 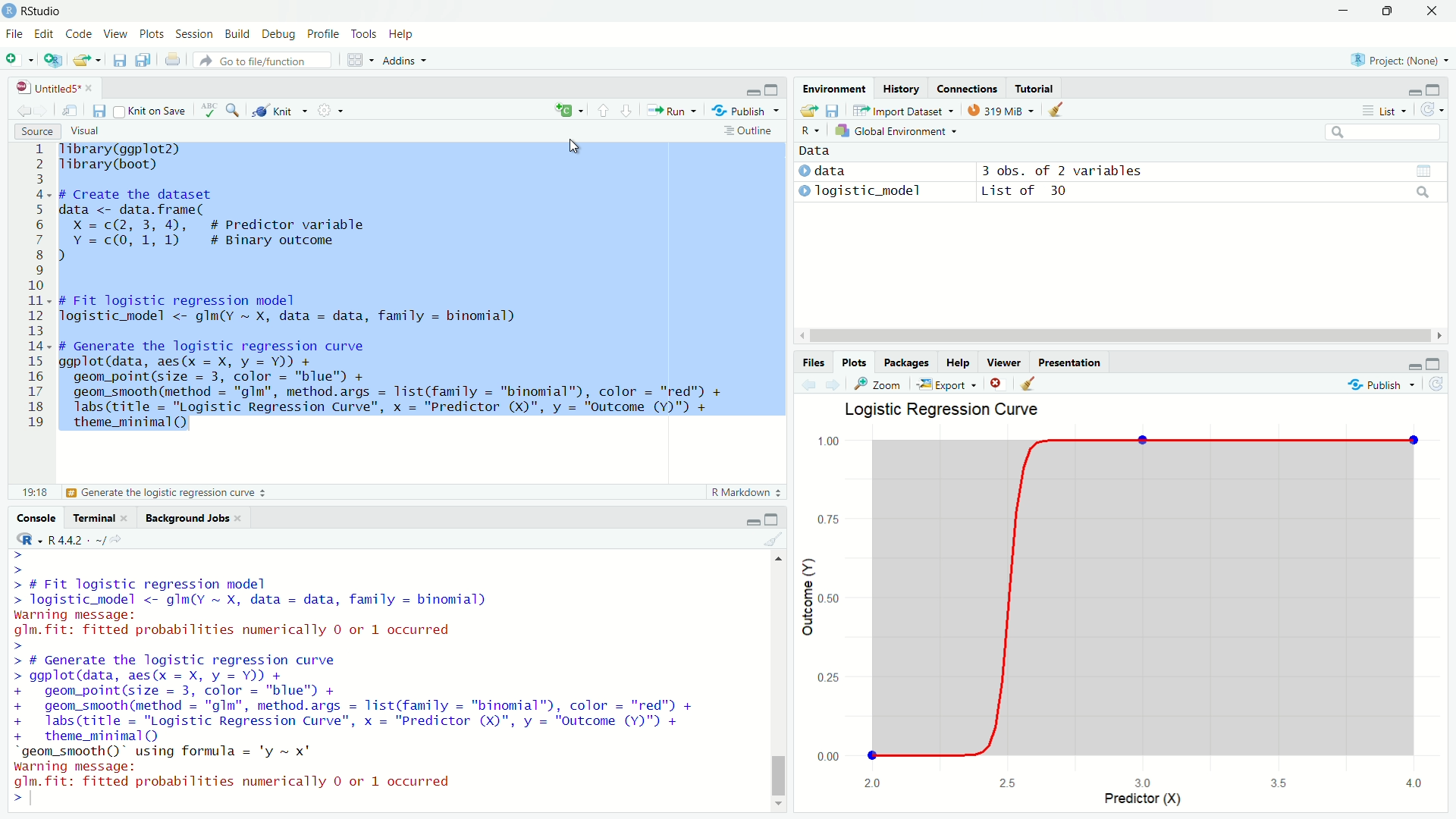 I want to click on Viewer, so click(x=1004, y=361).